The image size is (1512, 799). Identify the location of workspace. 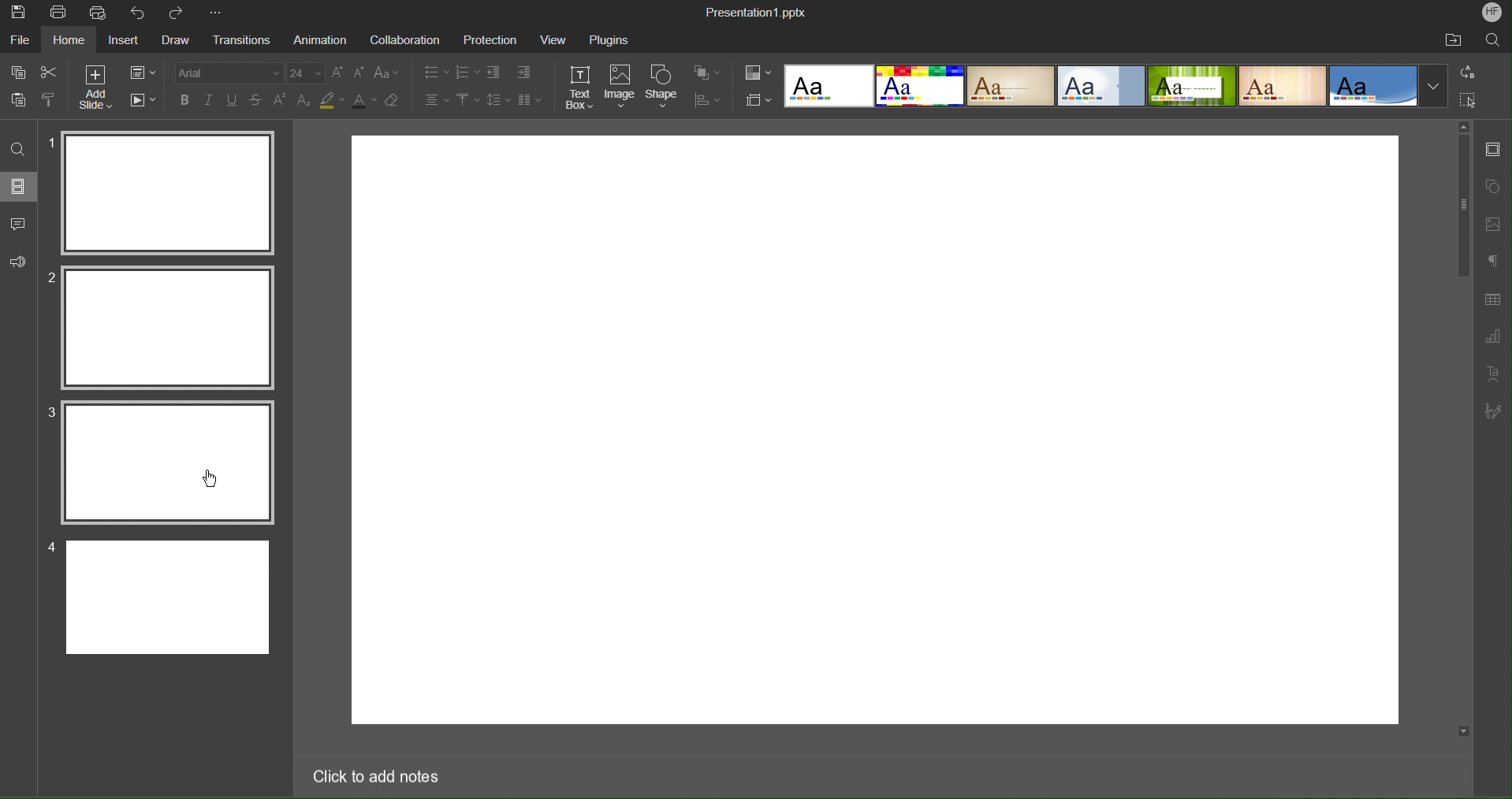
(877, 430).